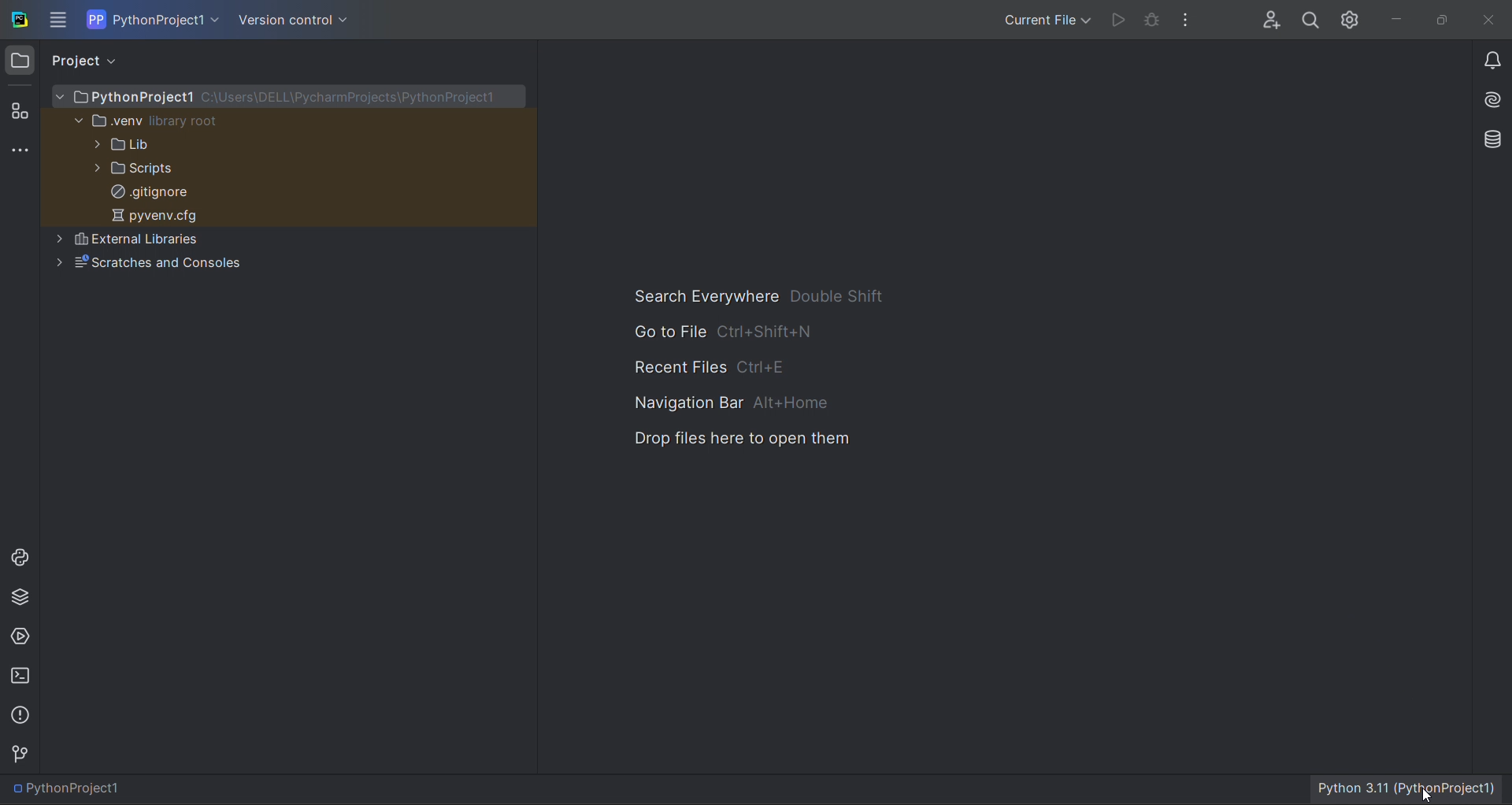 The width and height of the screenshot is (1512, 805). I want to click on cursor, so click(1426, 791).